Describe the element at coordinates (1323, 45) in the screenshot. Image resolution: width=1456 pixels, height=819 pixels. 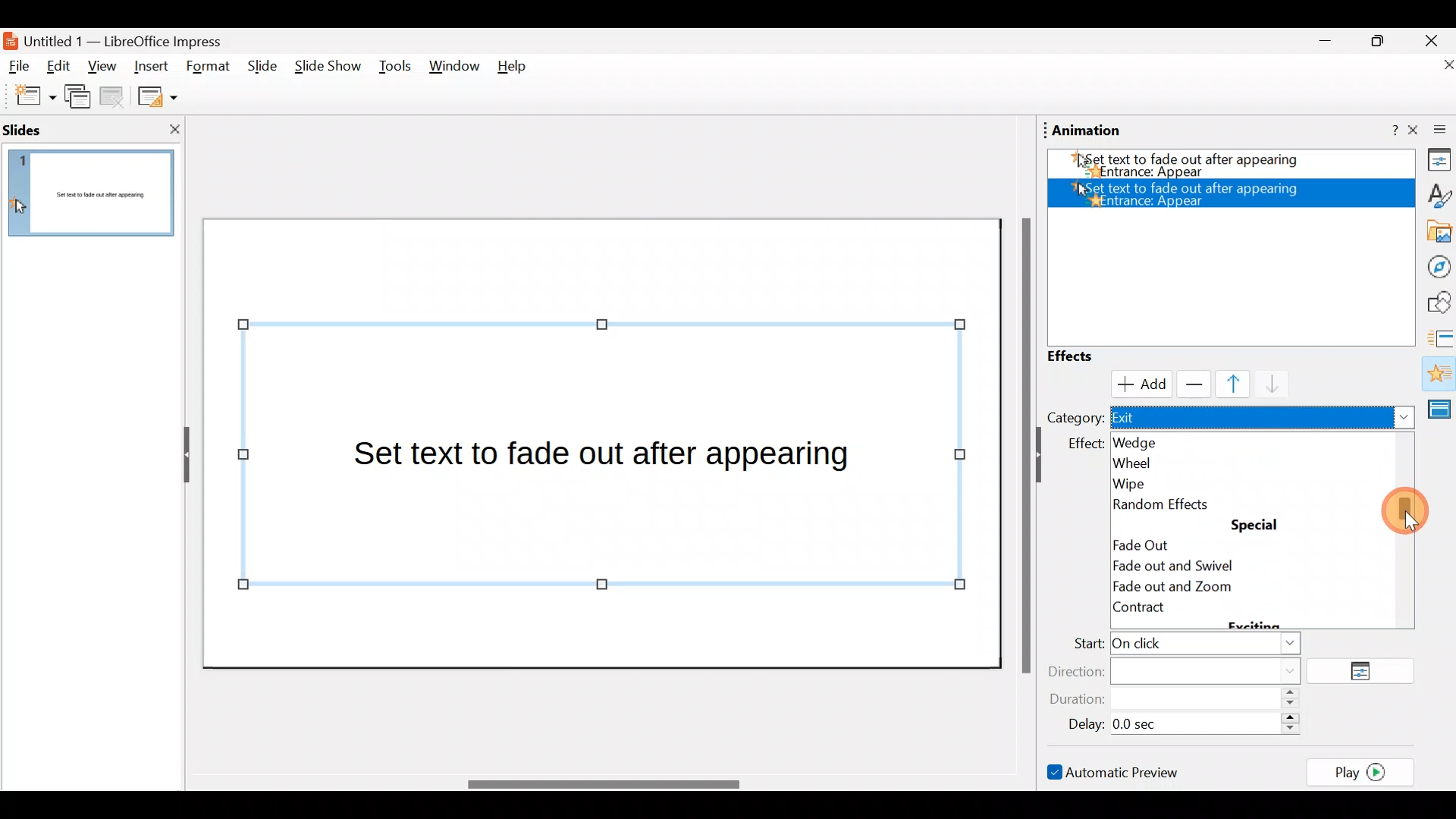
I see `Minimise` at that location.